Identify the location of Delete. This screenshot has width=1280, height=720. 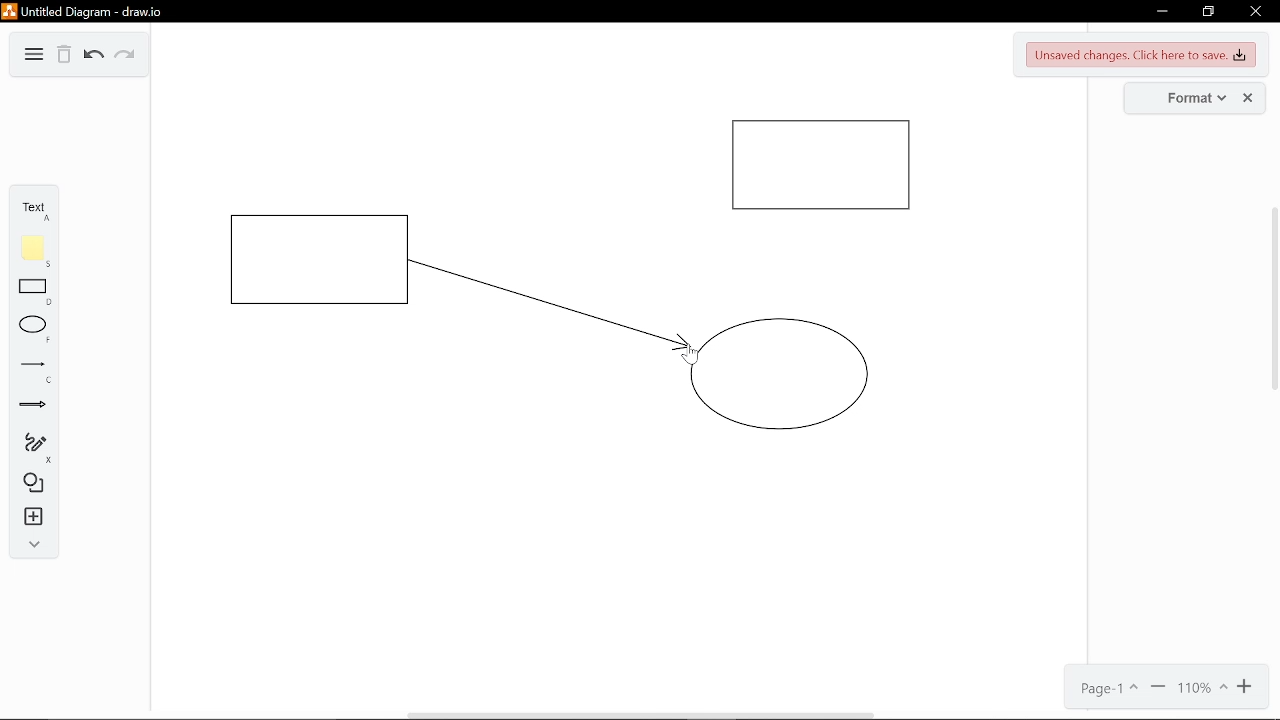
(63, 55).